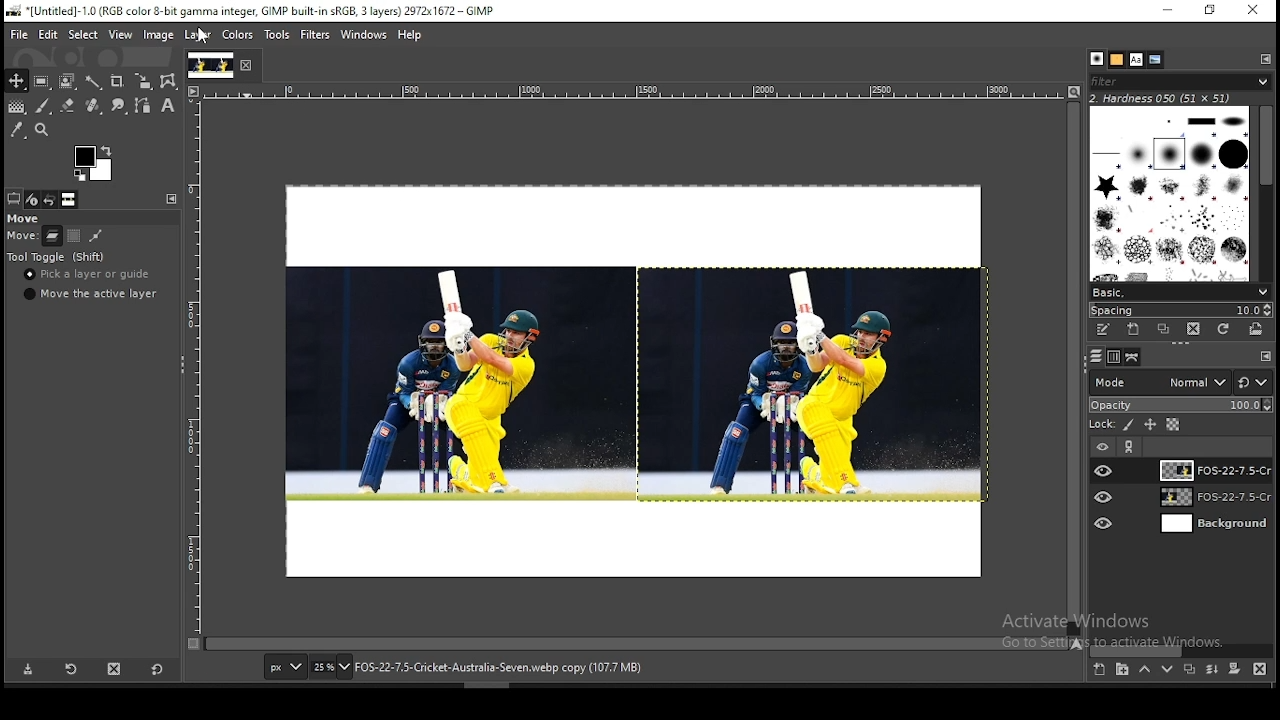 This screenshot has width=1280, height=720. Describe the element at coordinates (1101, 445) in the screenshot. I see `layer visibility on/off` at that location.